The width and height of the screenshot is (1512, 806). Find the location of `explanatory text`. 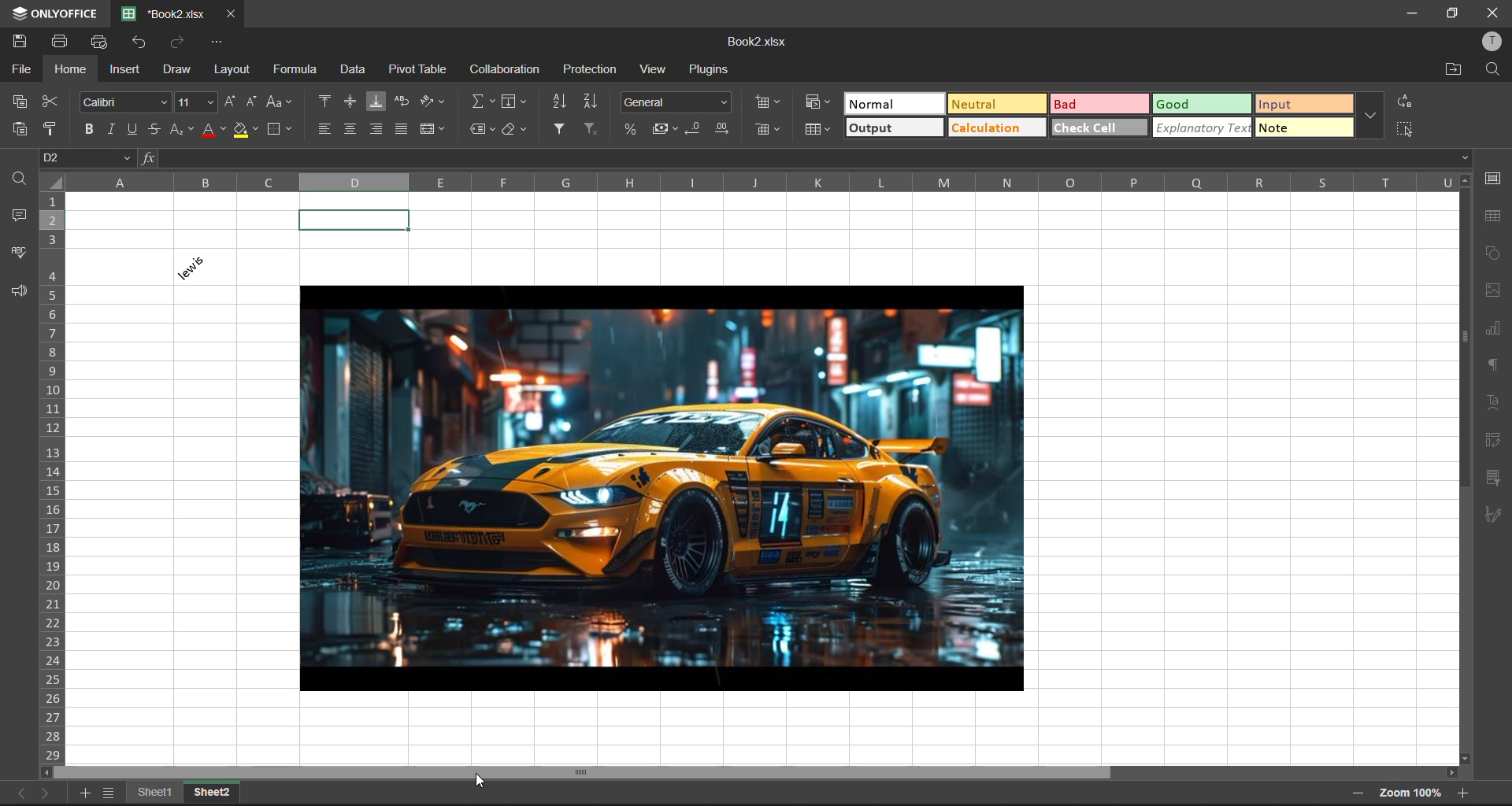

explanatory text is located at coordinates (1203, 128).